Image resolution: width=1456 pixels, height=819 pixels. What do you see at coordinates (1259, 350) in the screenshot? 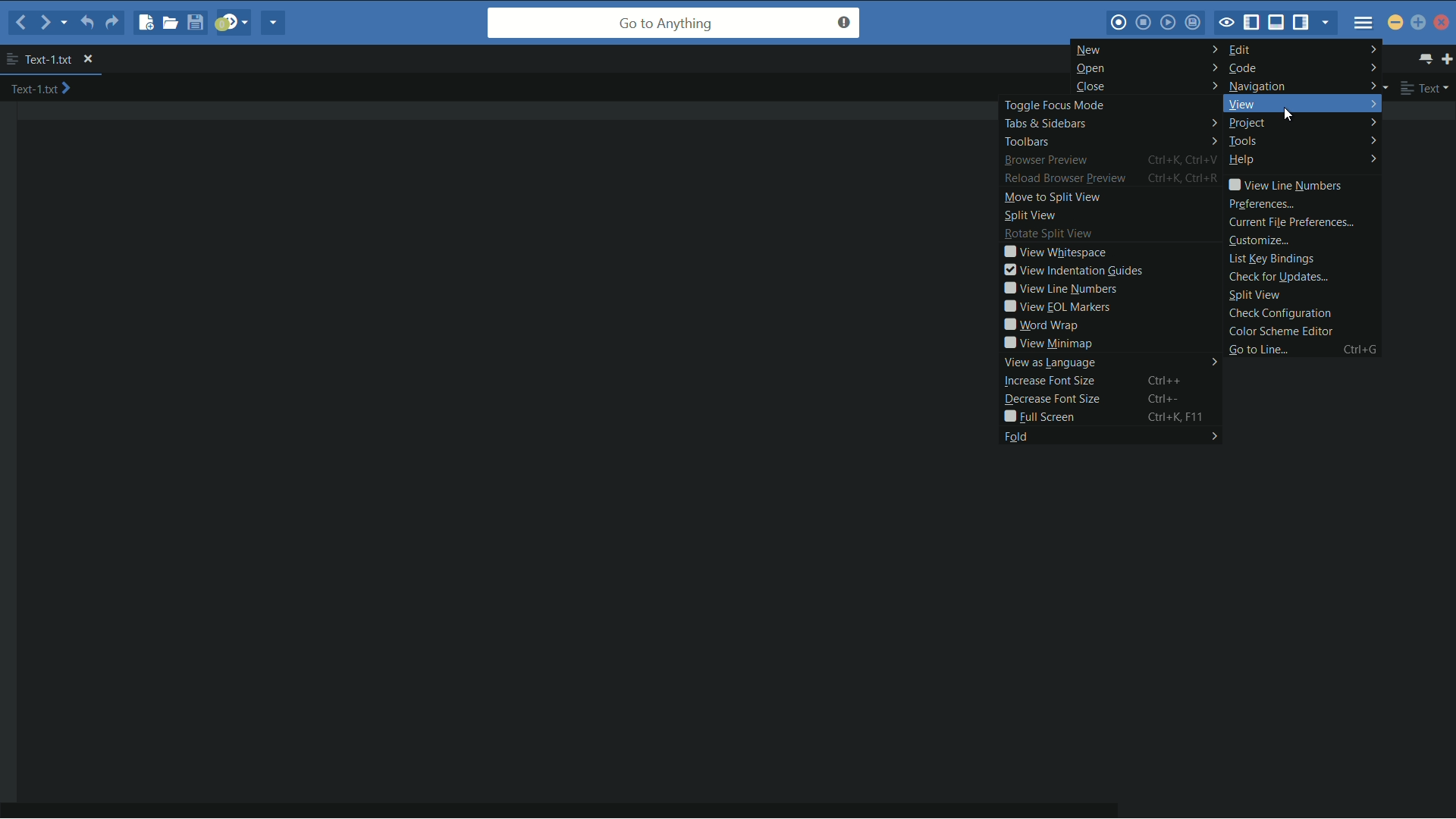
I see `go to line` at bounding box center [1259, 350].